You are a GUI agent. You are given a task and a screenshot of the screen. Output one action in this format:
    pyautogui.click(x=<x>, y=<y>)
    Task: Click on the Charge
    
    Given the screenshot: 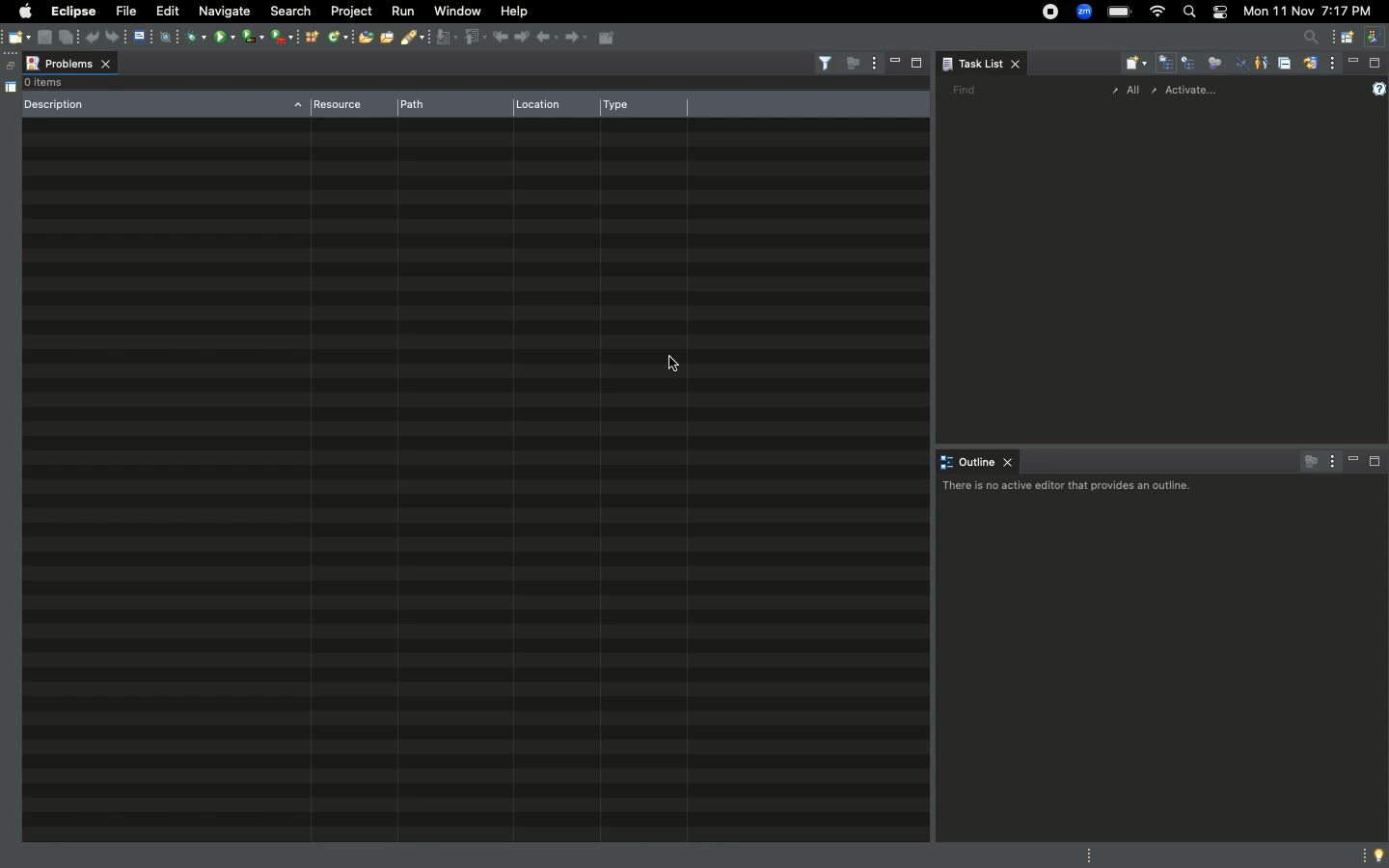 What is the action you would take?
    pyautogui.click(x=1121, y=12)
    